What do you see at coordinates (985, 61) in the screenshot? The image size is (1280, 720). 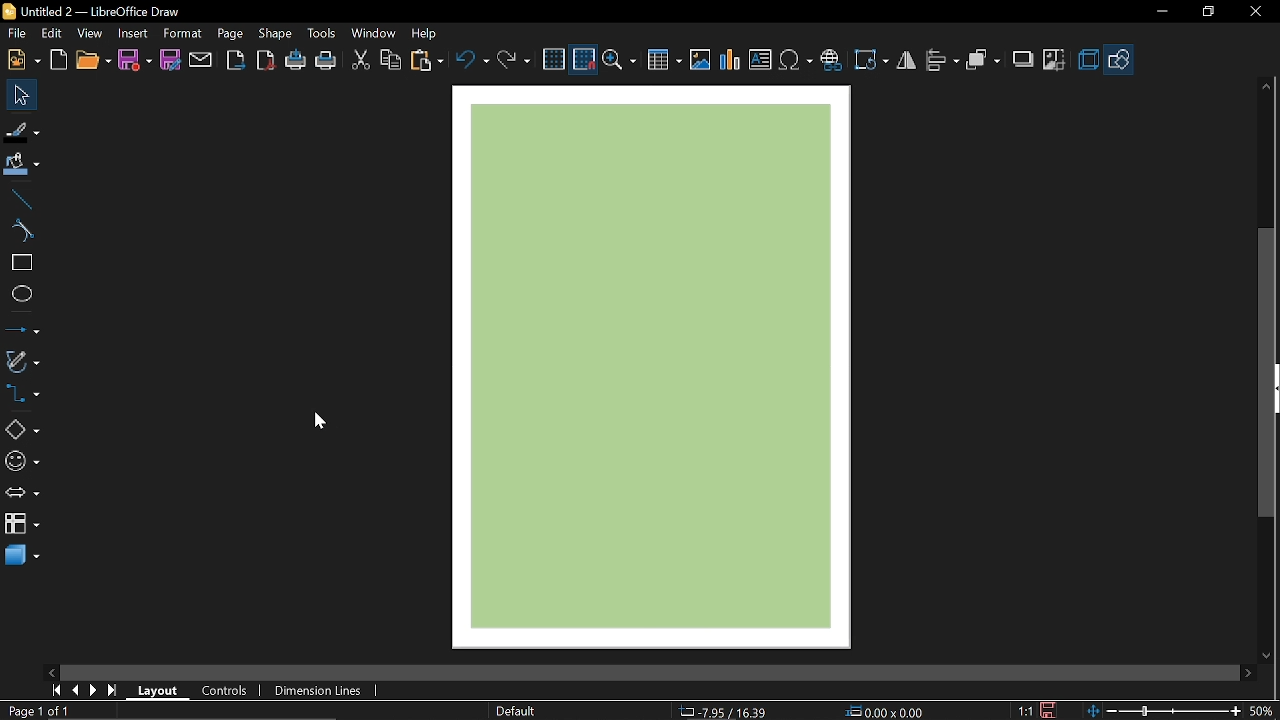 I see `arrange` at bounding box center [985, 61].